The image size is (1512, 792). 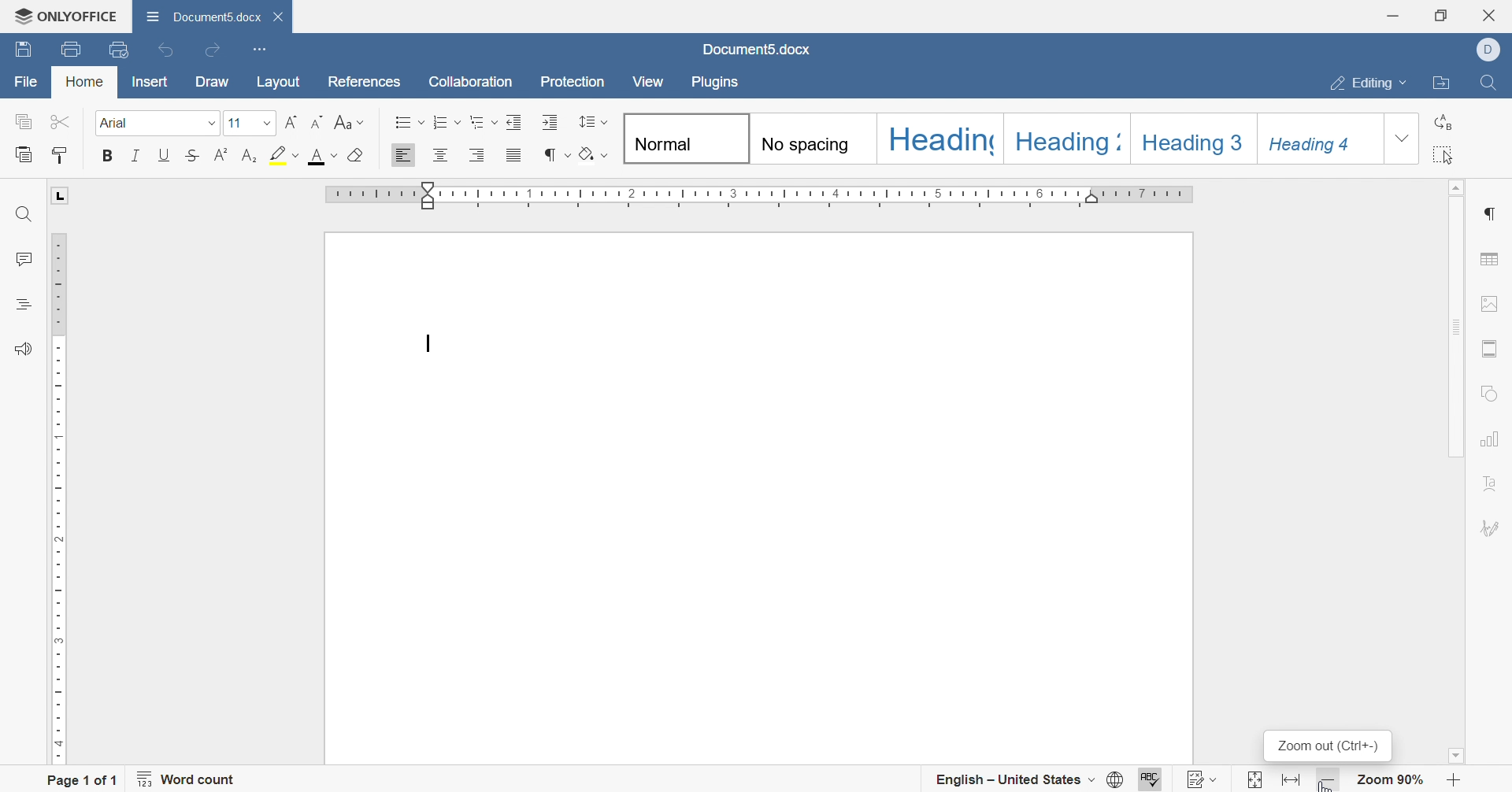 I want to click on clear style, so click(x=357, y=157).